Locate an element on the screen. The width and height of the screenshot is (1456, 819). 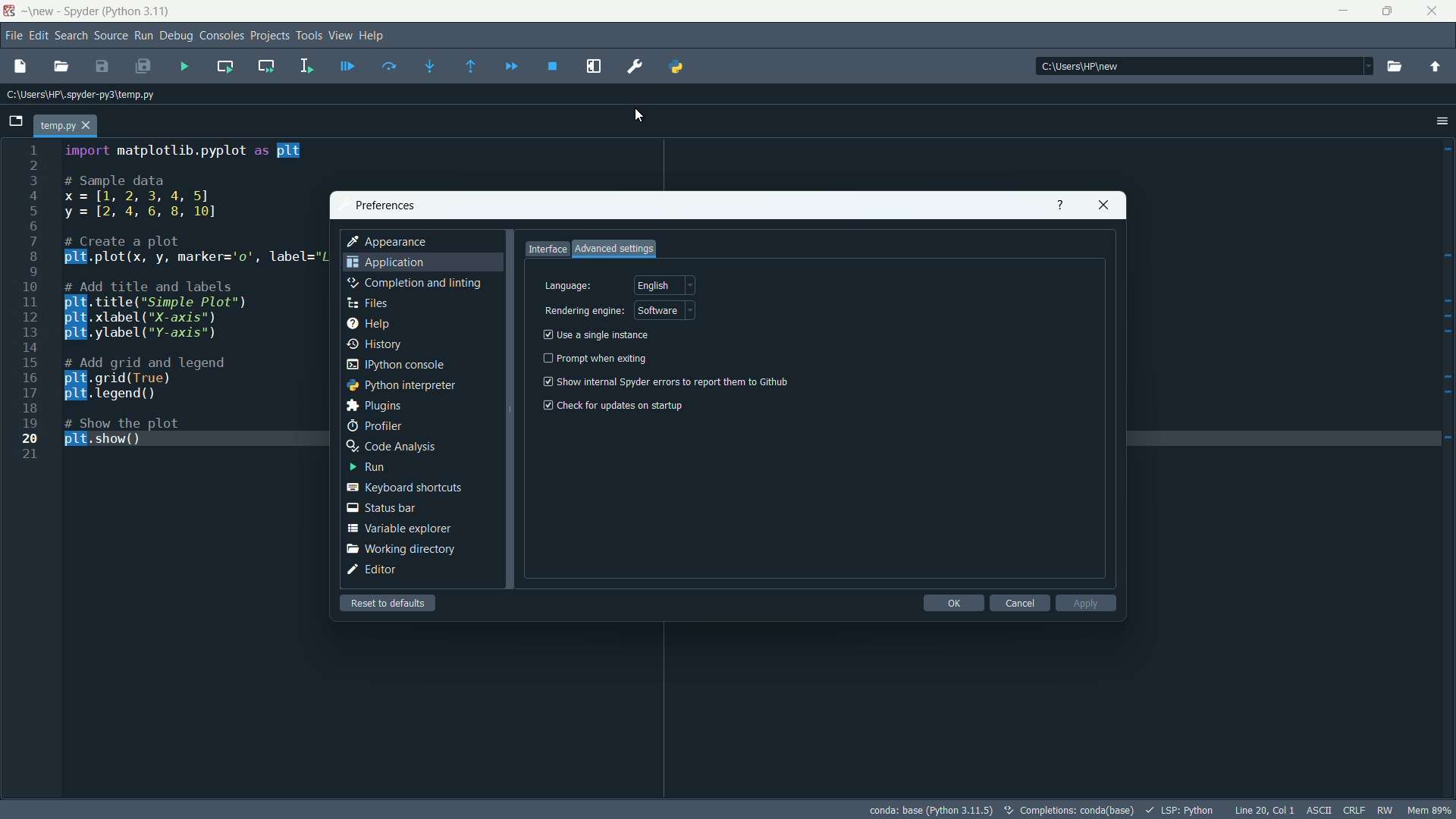
status bar is located at coordinates (379, 508).